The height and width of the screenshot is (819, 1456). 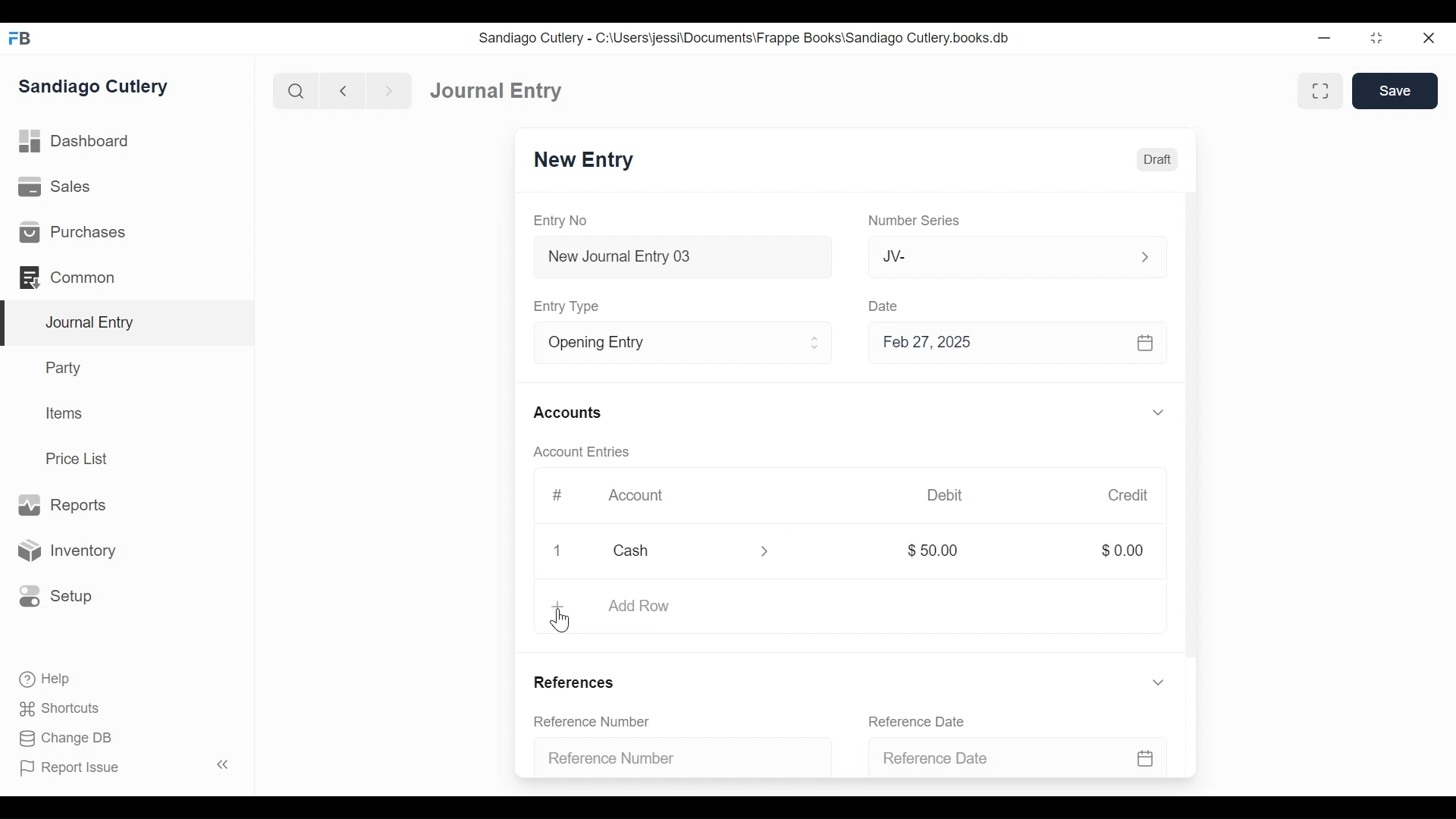 I want to click on Entry Type, so click(x=570, y=307).